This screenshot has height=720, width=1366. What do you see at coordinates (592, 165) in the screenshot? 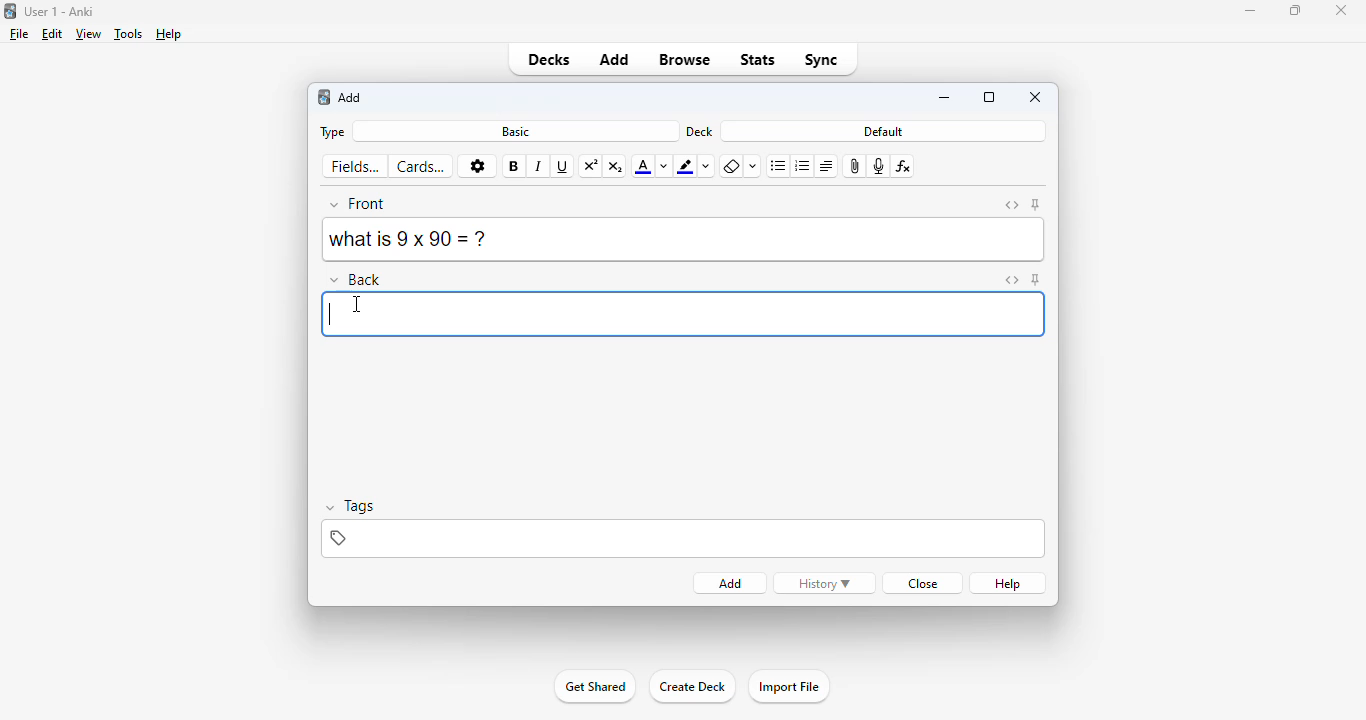
I see `superscript` at bounding box center [592, 165].